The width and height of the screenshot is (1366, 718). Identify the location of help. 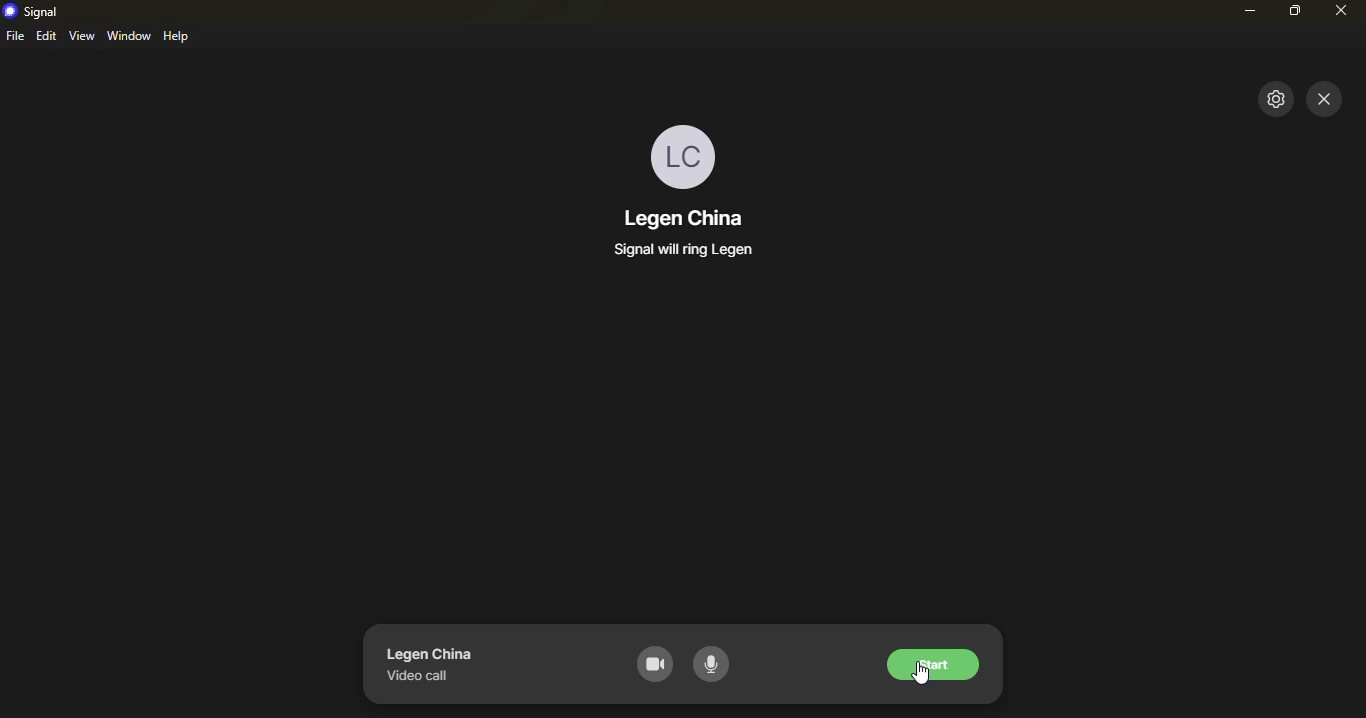
(178, 37).